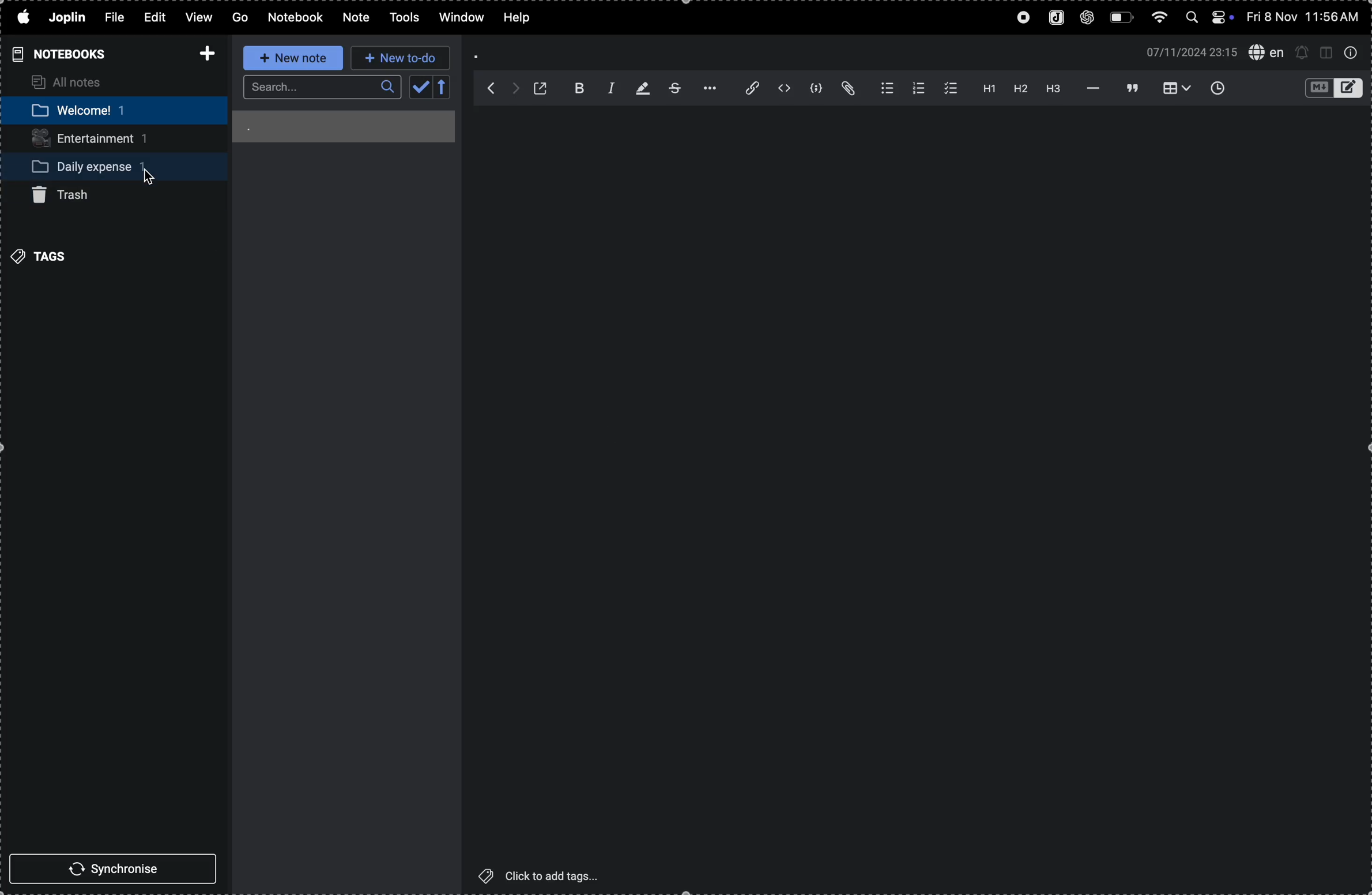 This screenshot has width=1372, height=895. What do you see at coordinates (850, 89) in the screenshot?
I see `attach file` at bounding box center [850, 89].